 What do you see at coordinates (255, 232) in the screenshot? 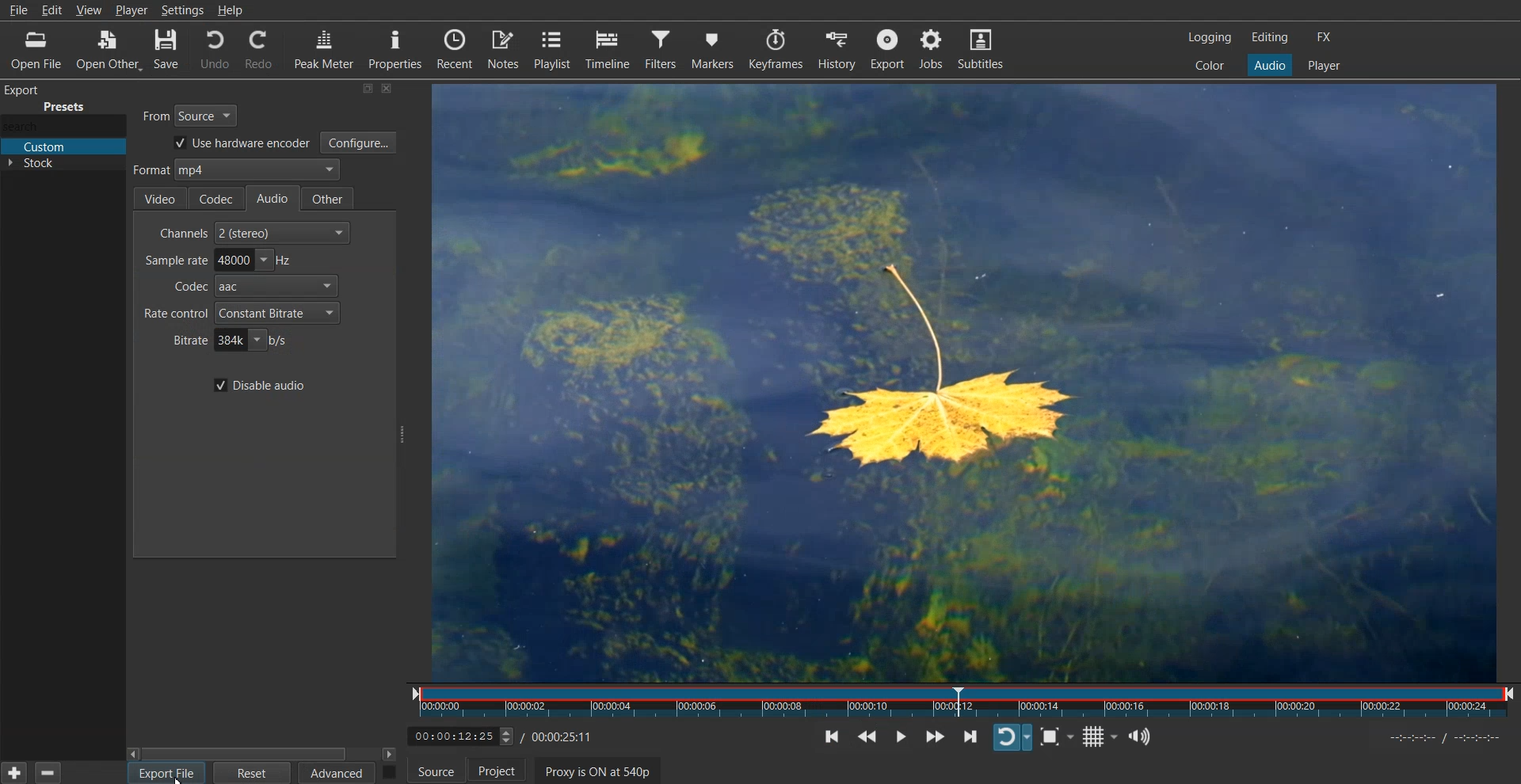
I see `Channel ` at bounding box center [255, 232].